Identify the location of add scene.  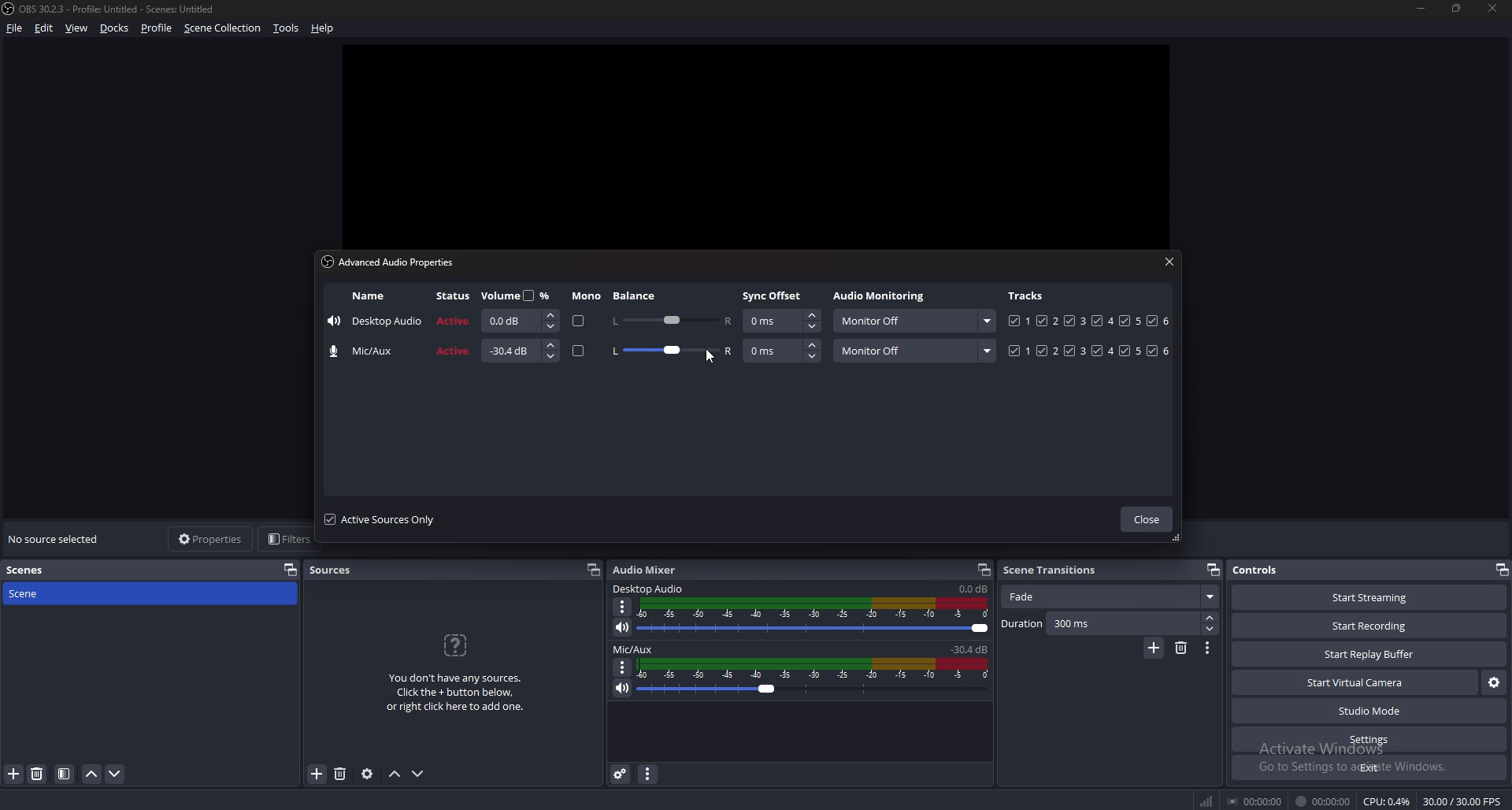
(13, 774).